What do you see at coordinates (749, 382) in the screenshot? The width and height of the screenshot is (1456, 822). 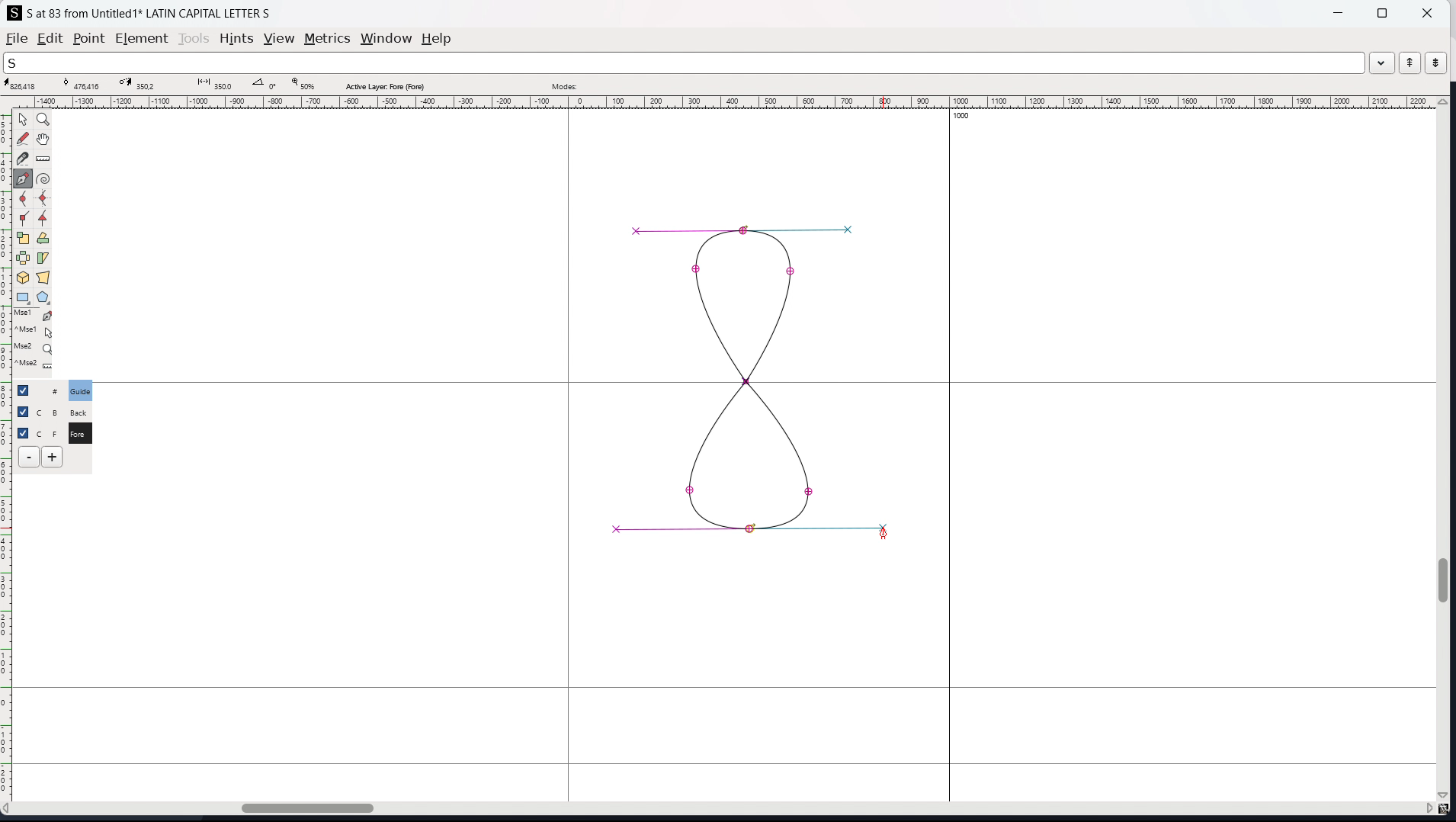 I see `drawing updated` at bounding box center [749, 382].